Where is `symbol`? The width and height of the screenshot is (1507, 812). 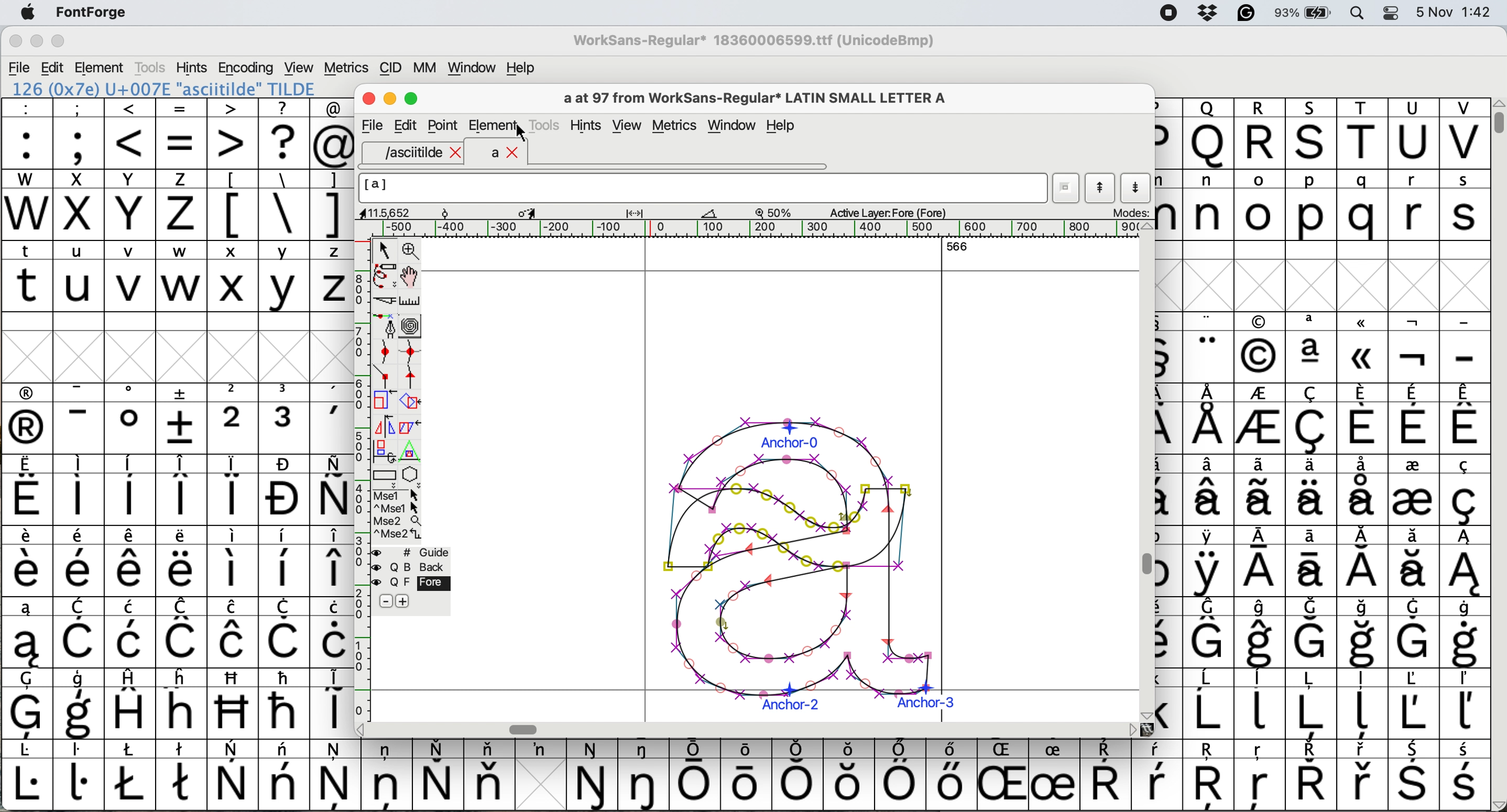
symbol is located at coordinates (1315, 489).